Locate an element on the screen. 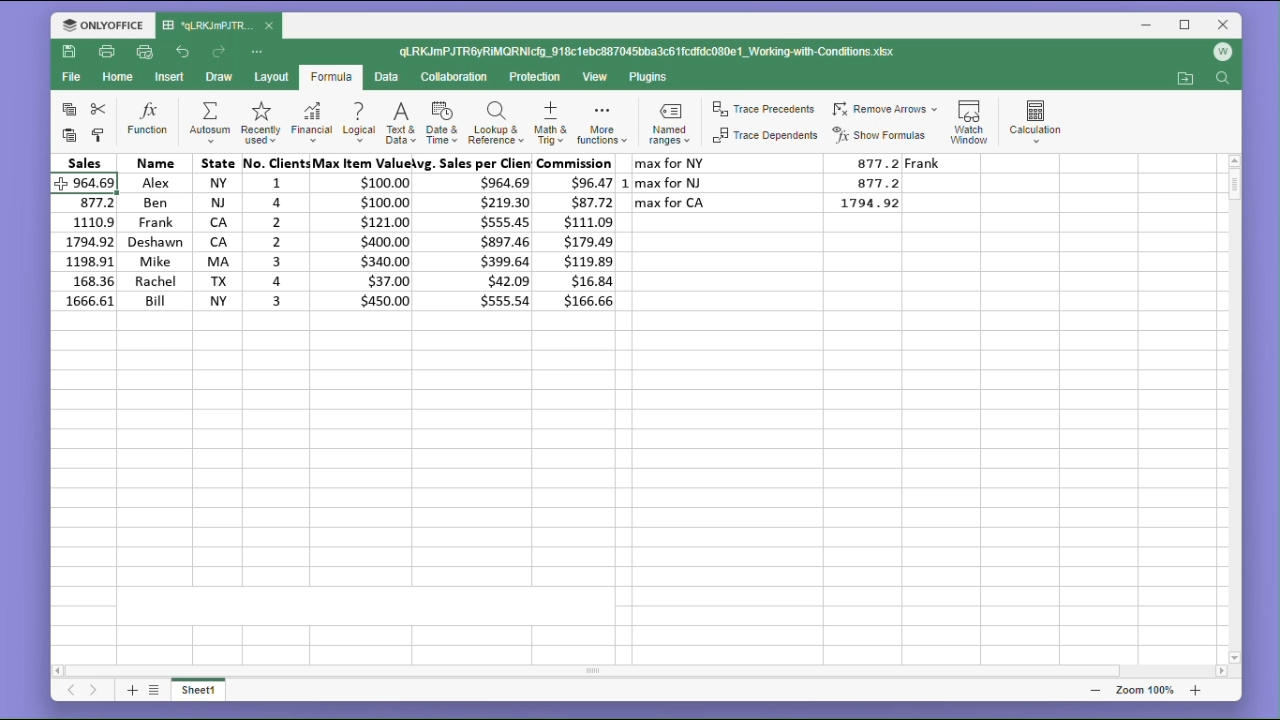 The height and width of the screenshot is (720, 1280). plugins is located at coordinates (649, 77).